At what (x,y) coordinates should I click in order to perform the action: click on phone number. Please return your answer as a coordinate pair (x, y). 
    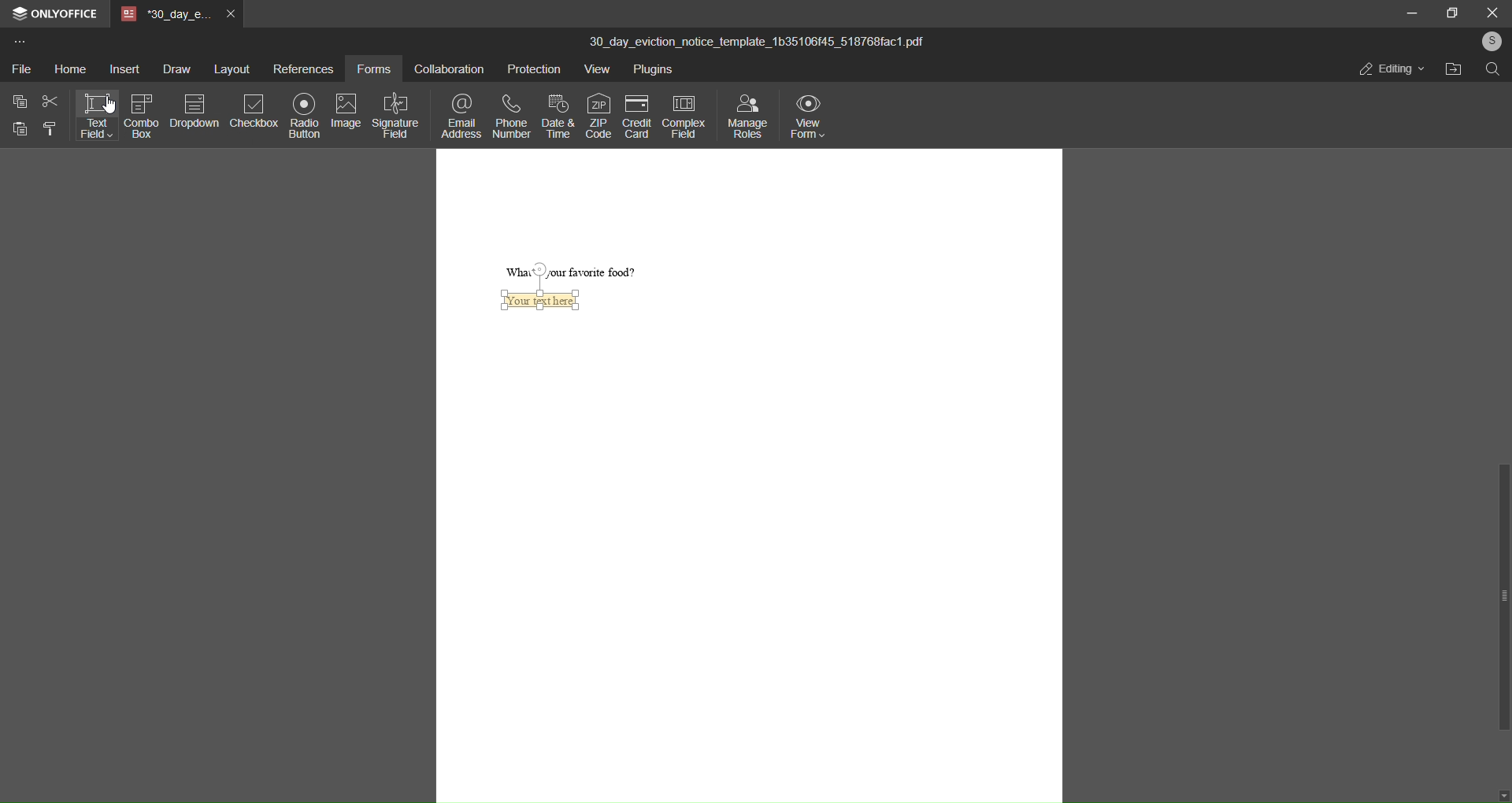
    Looking at the image, I should click on (511, 116).